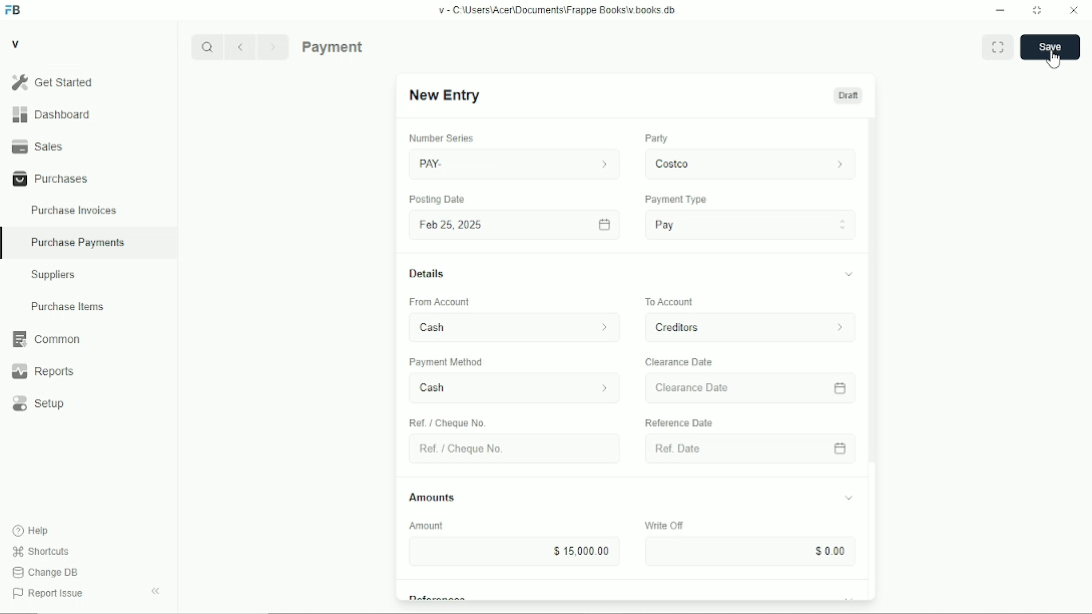 The width and height of the screenshot is (1092, 614). What do you see at coordinates (88, 178) in the screenshot?
I see `Purchases` at bounding box center [88, 178].